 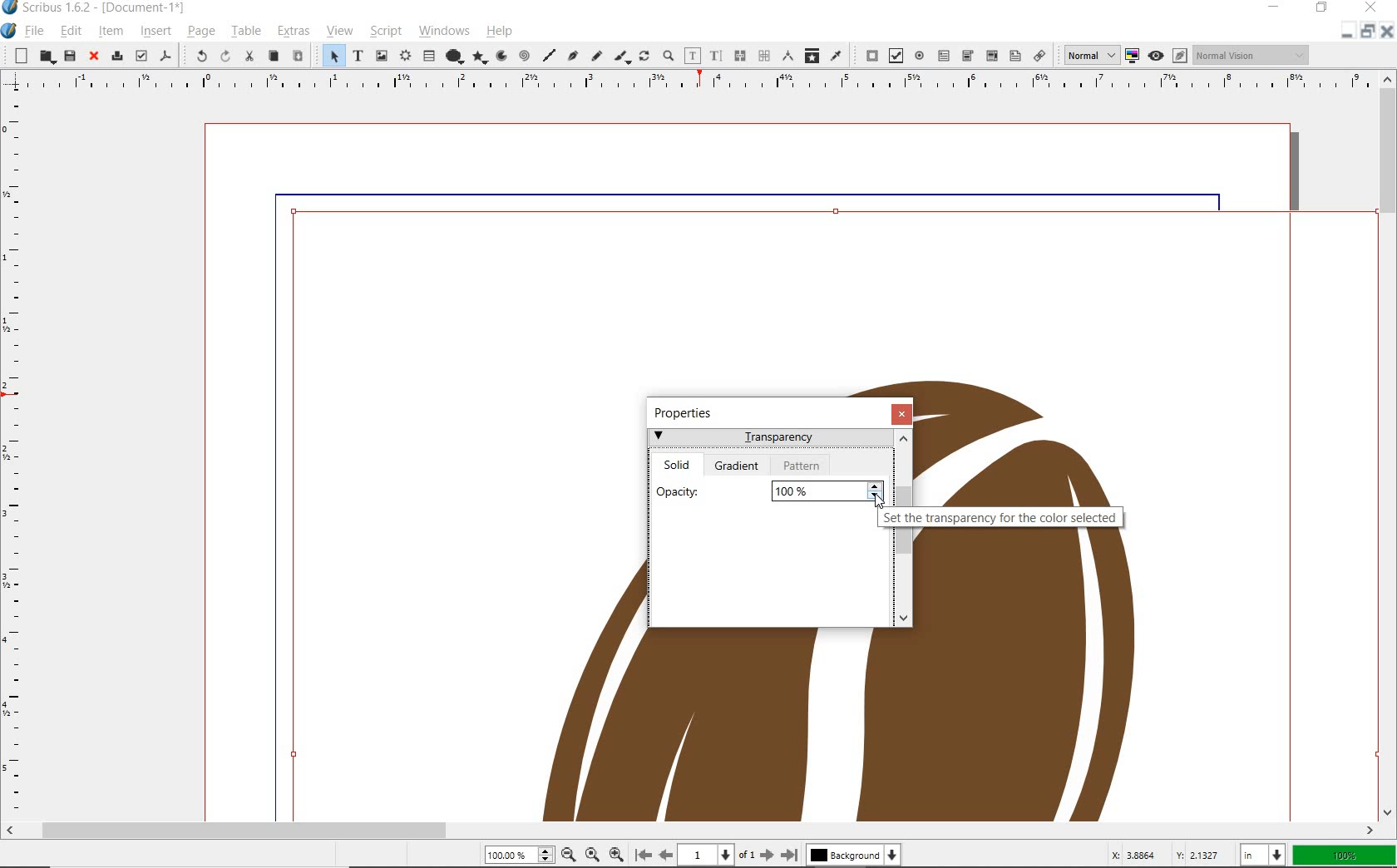 I want to click on select item, so click(x=329, y=56).